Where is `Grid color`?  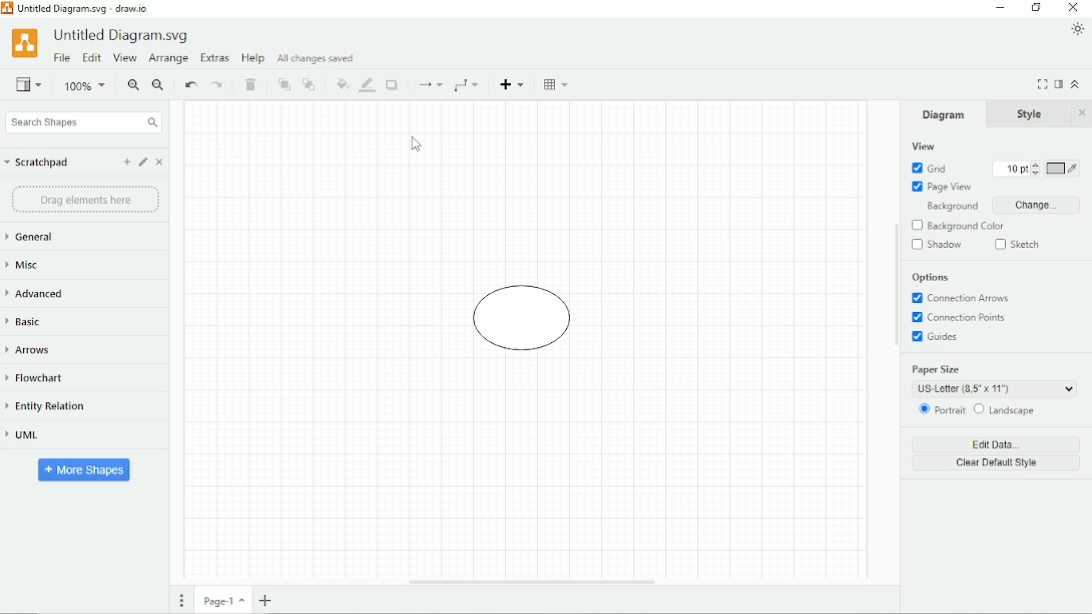
Grid color is located at coordinates (1063, 168).